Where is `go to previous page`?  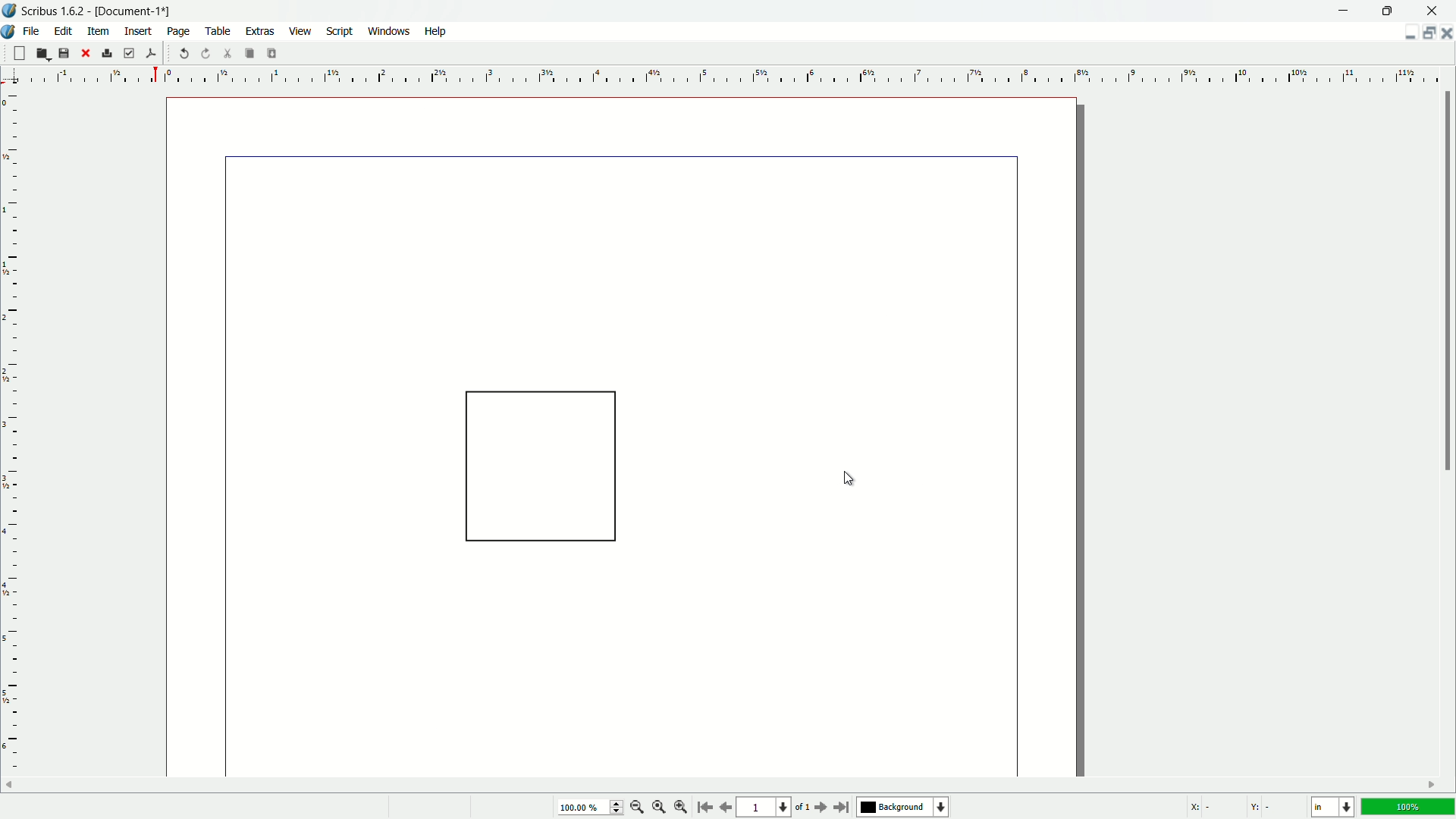
go to previous page is located at coordinates (723, 808).